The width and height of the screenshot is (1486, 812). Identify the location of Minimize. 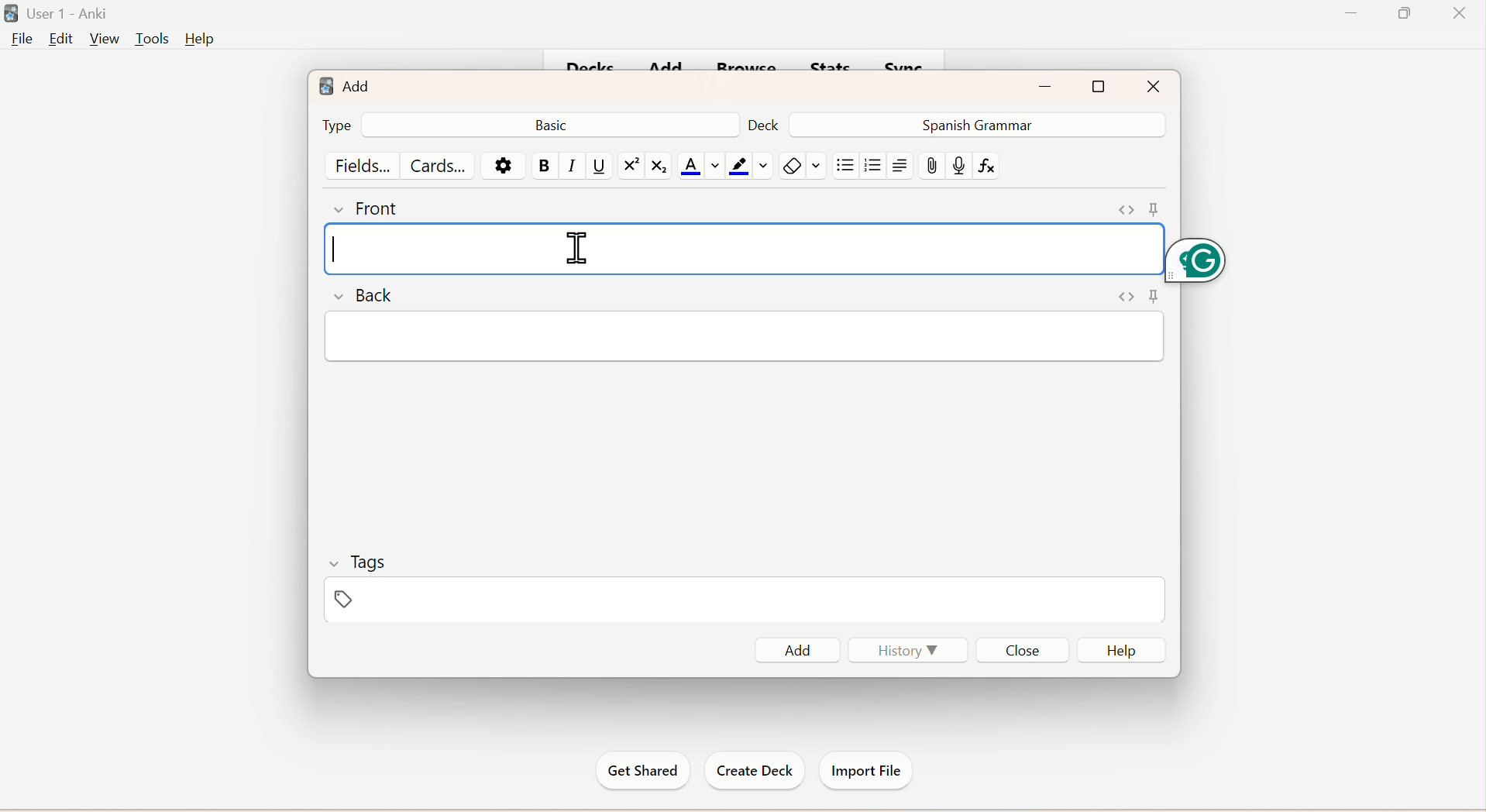
(1051, 84).